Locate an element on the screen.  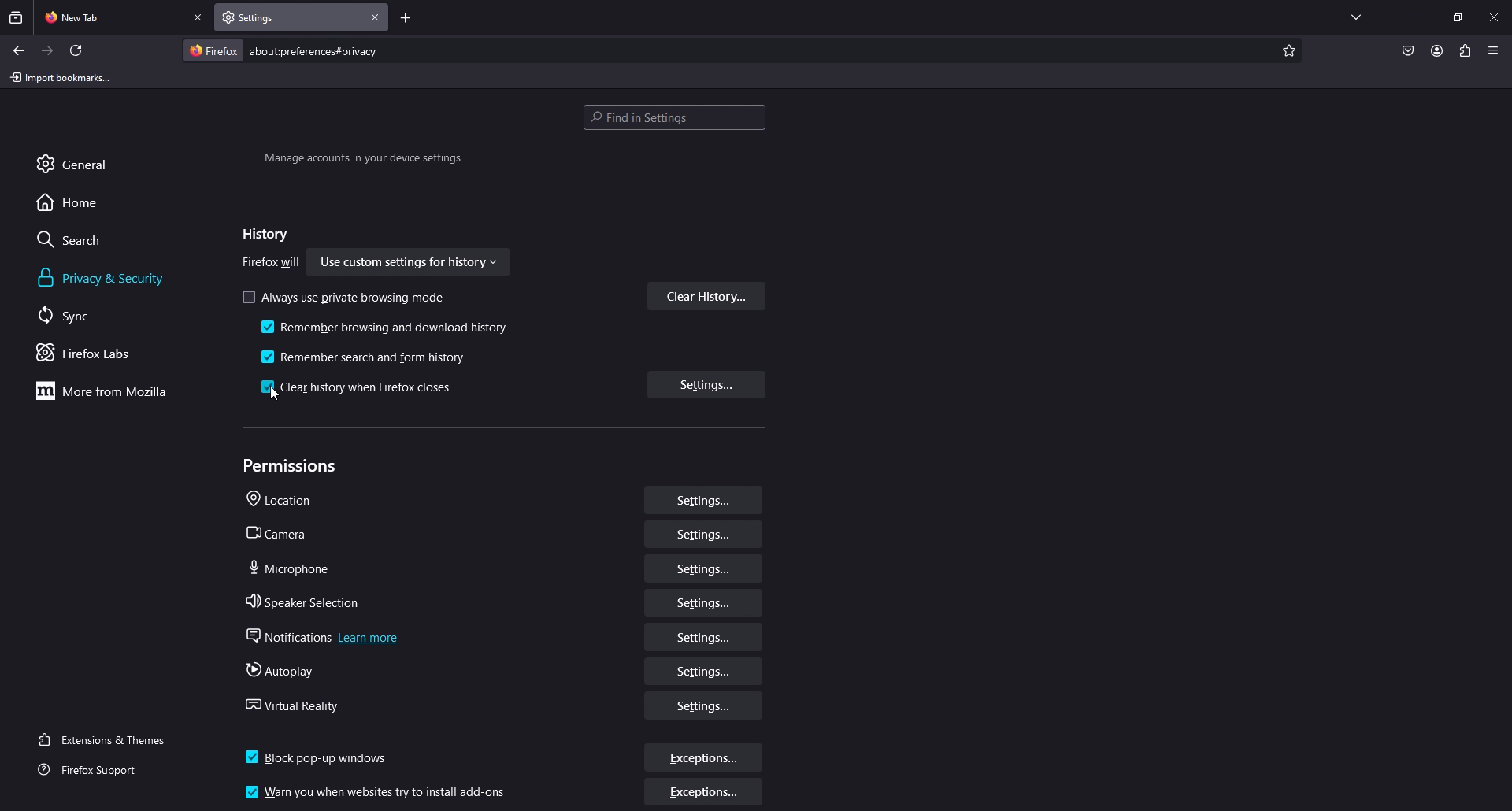
settings is located at coordinates (702, 572).